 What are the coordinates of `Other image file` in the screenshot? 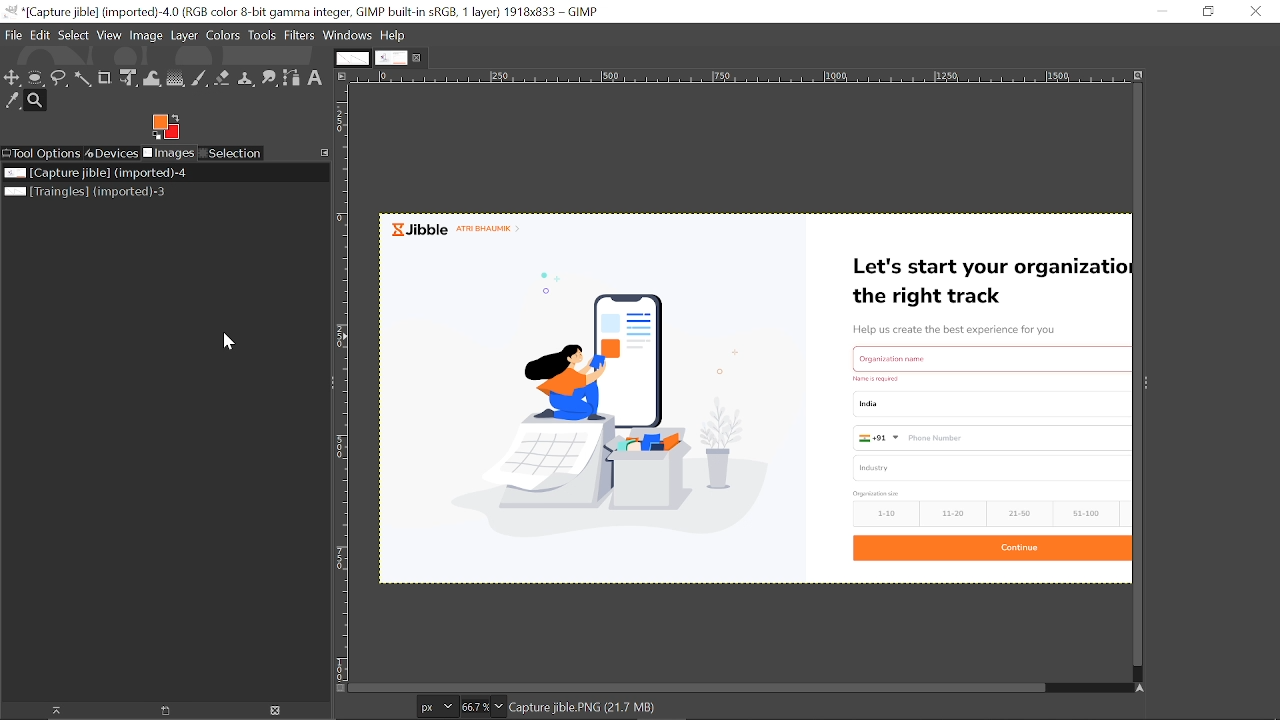 It's located at (116, 193).